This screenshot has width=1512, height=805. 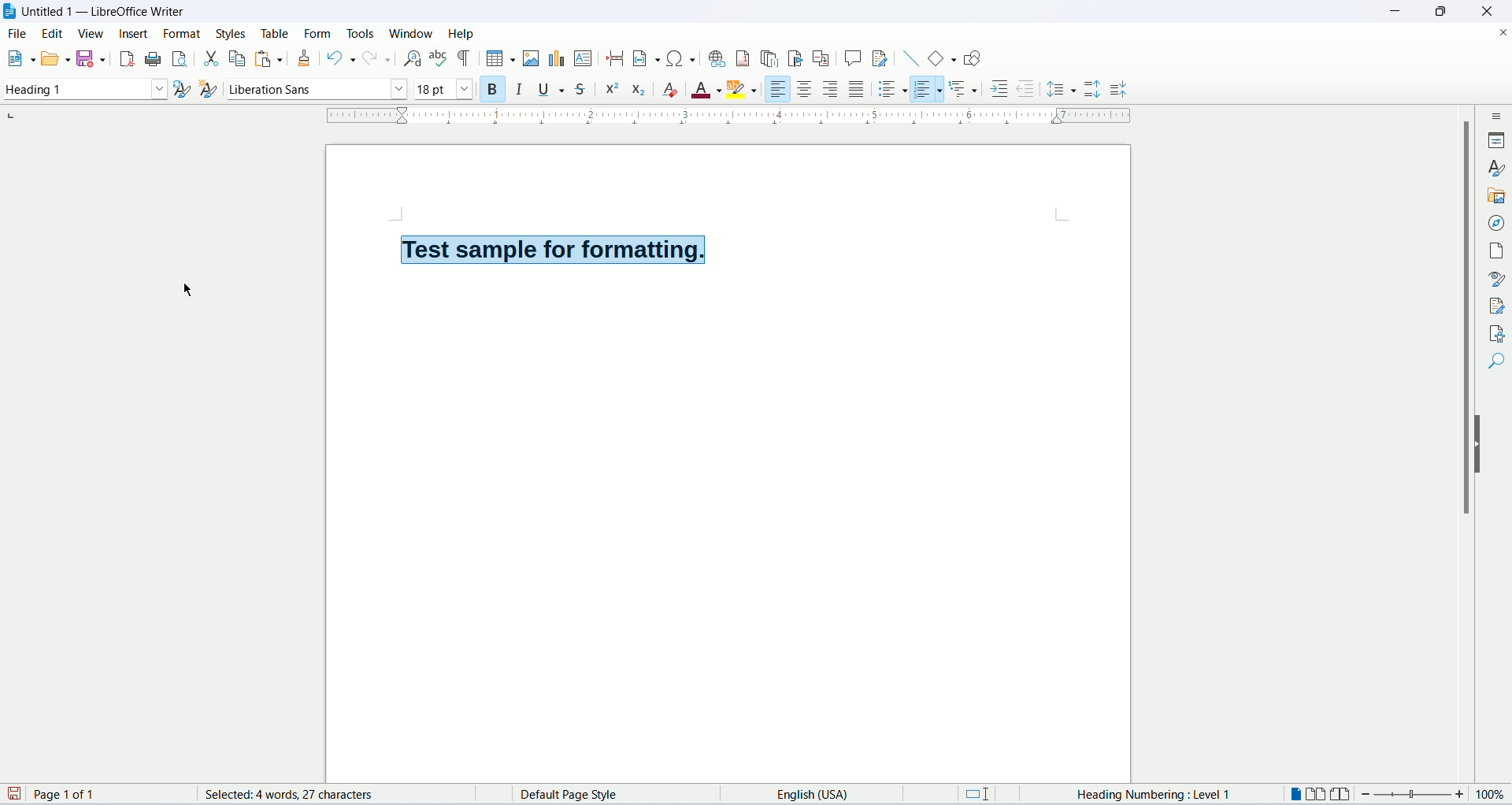 I want to click on paste, so click(x=264, y=58).